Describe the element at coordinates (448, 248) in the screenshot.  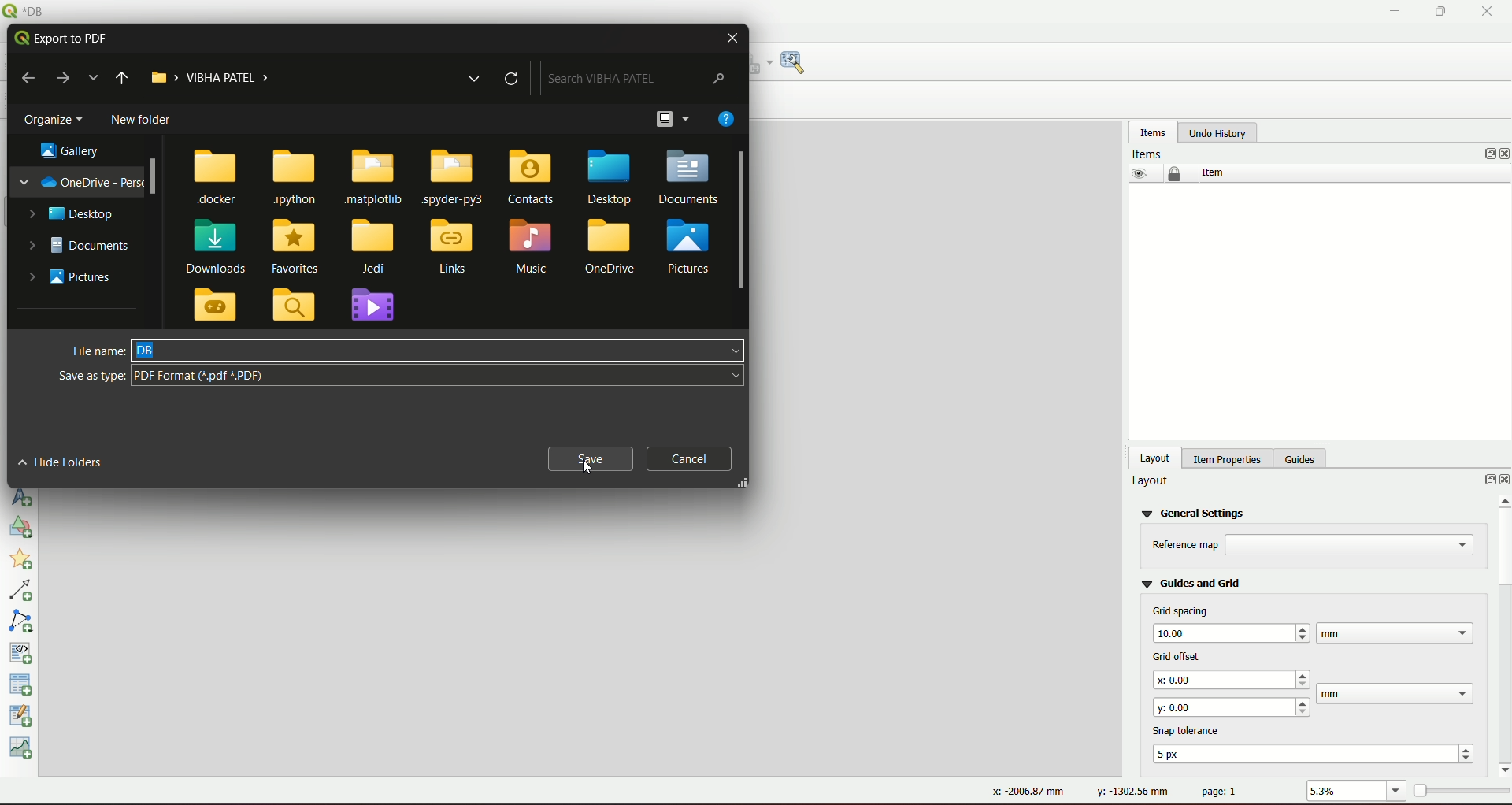
I see `Links` at that location.